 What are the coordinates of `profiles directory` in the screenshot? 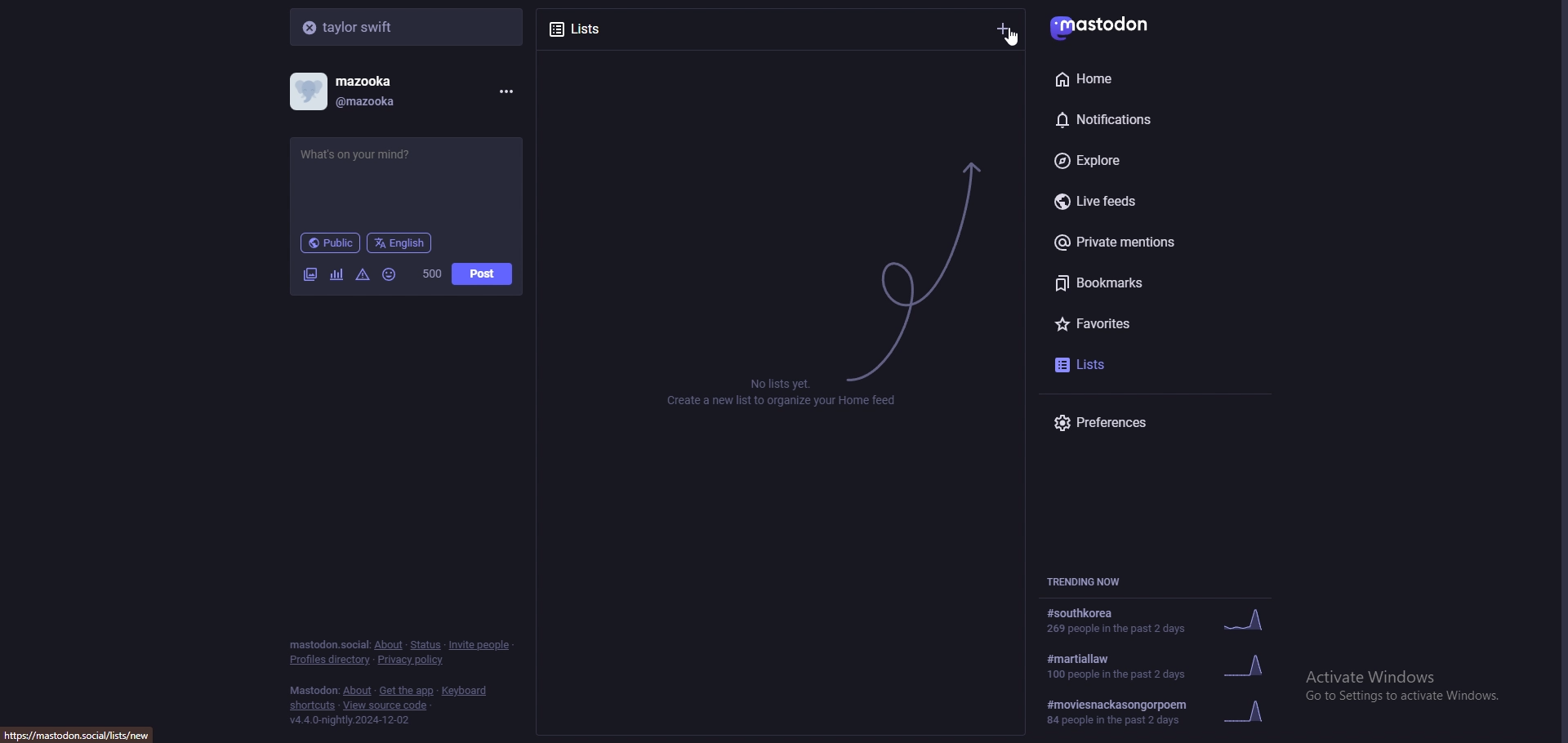 It's located at (331, 661).